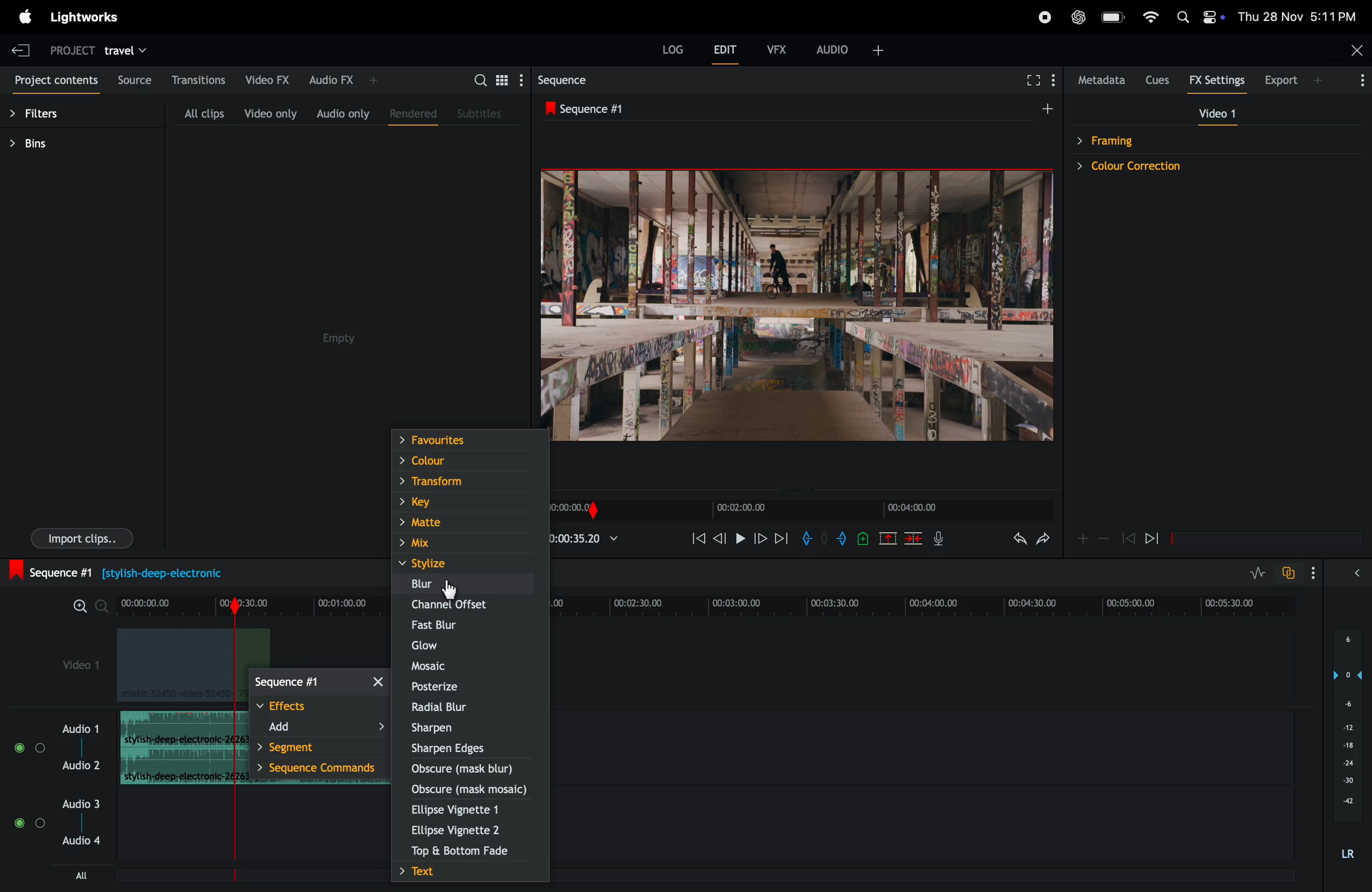 Image resolution: width=1372 pixels, height=892 pixels. Describe the element at coordinates (465, 523) in the screenshot. I see `matte` at that location.